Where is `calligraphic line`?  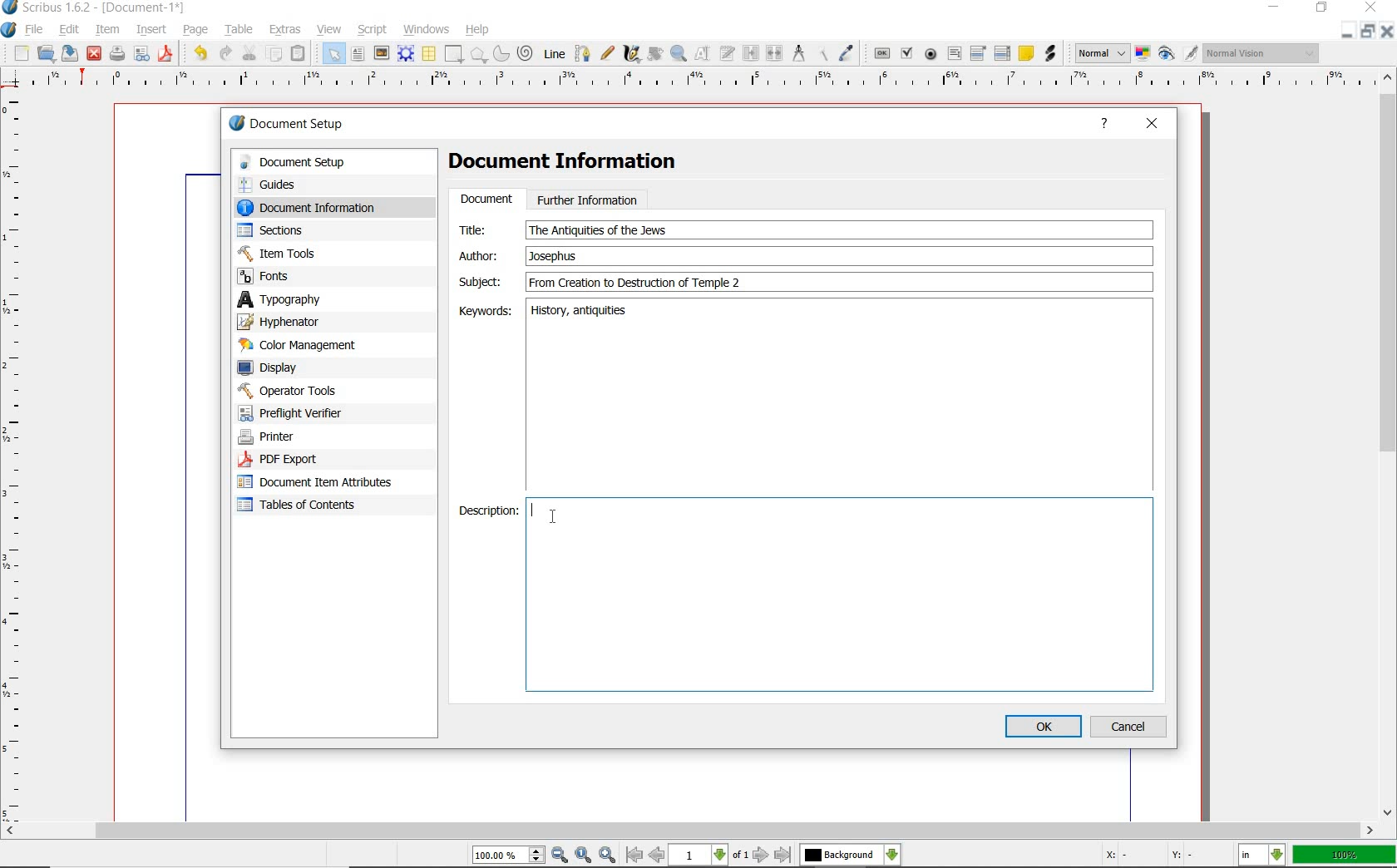 calligraphic line is located at coordinates (632, 55).